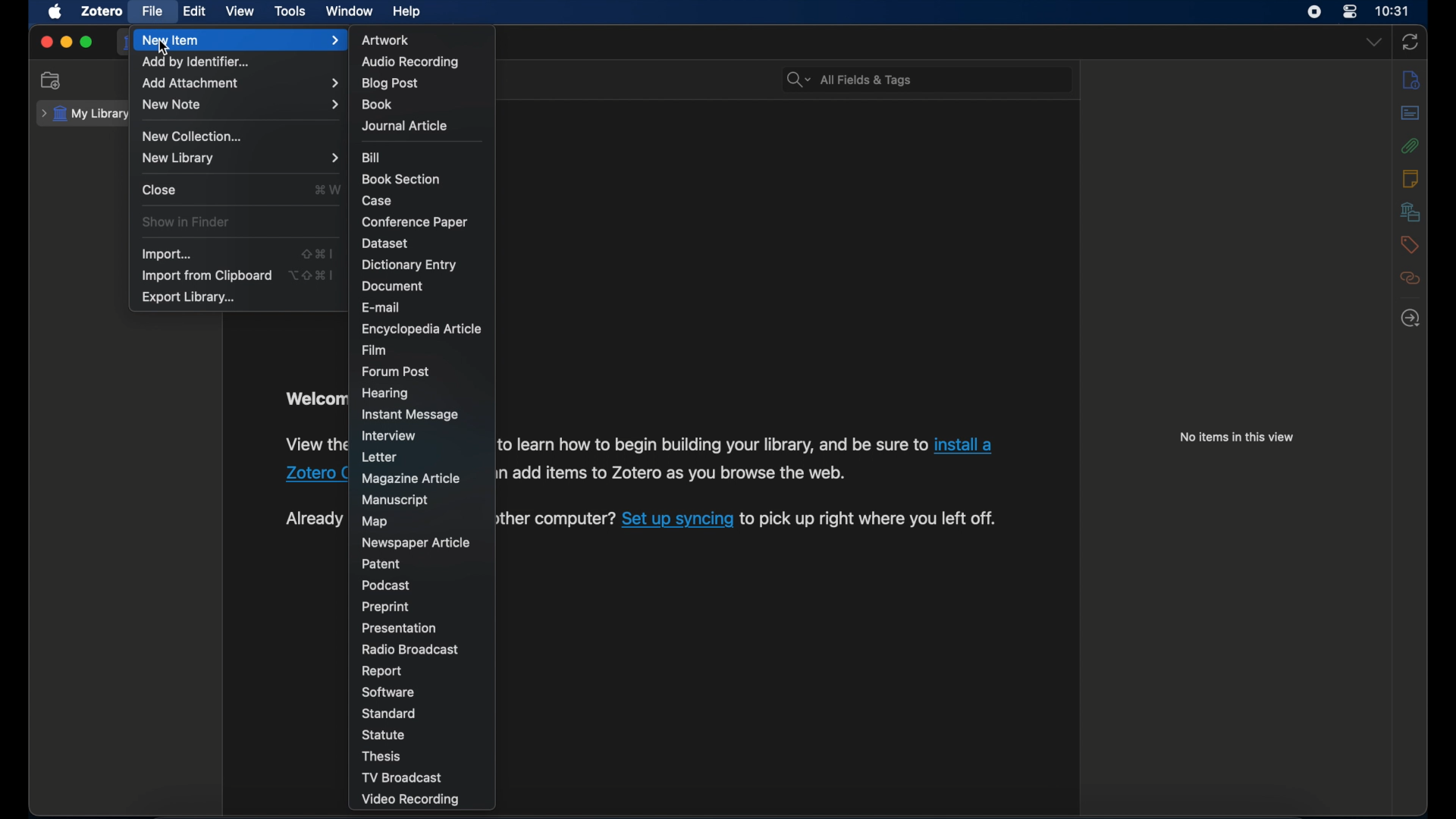 The image size is (1456, 819). What do you see at coordinates (393, 286) in the screenshot?
I see `document` at bounding box center [393, 286].